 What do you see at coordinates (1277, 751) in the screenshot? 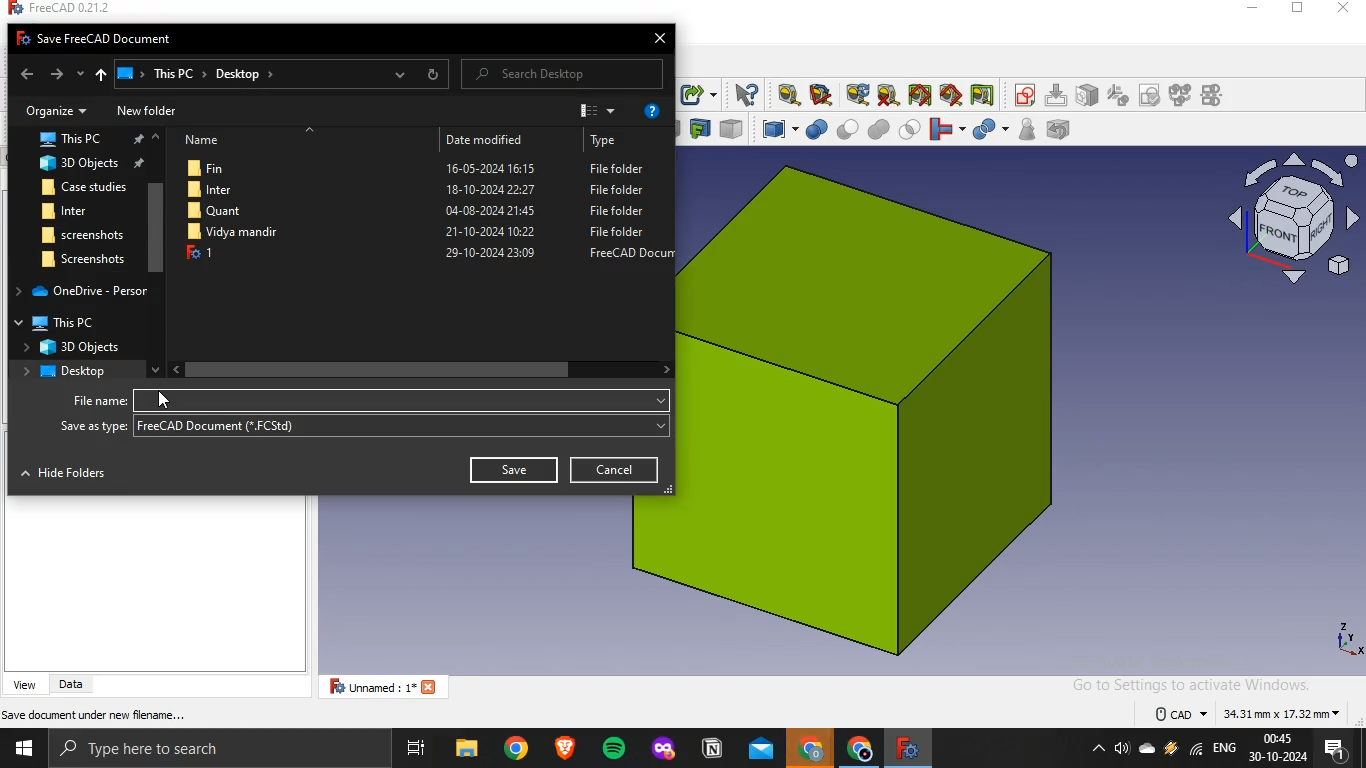
I see `time and date` at bounding box center [1277, 751].